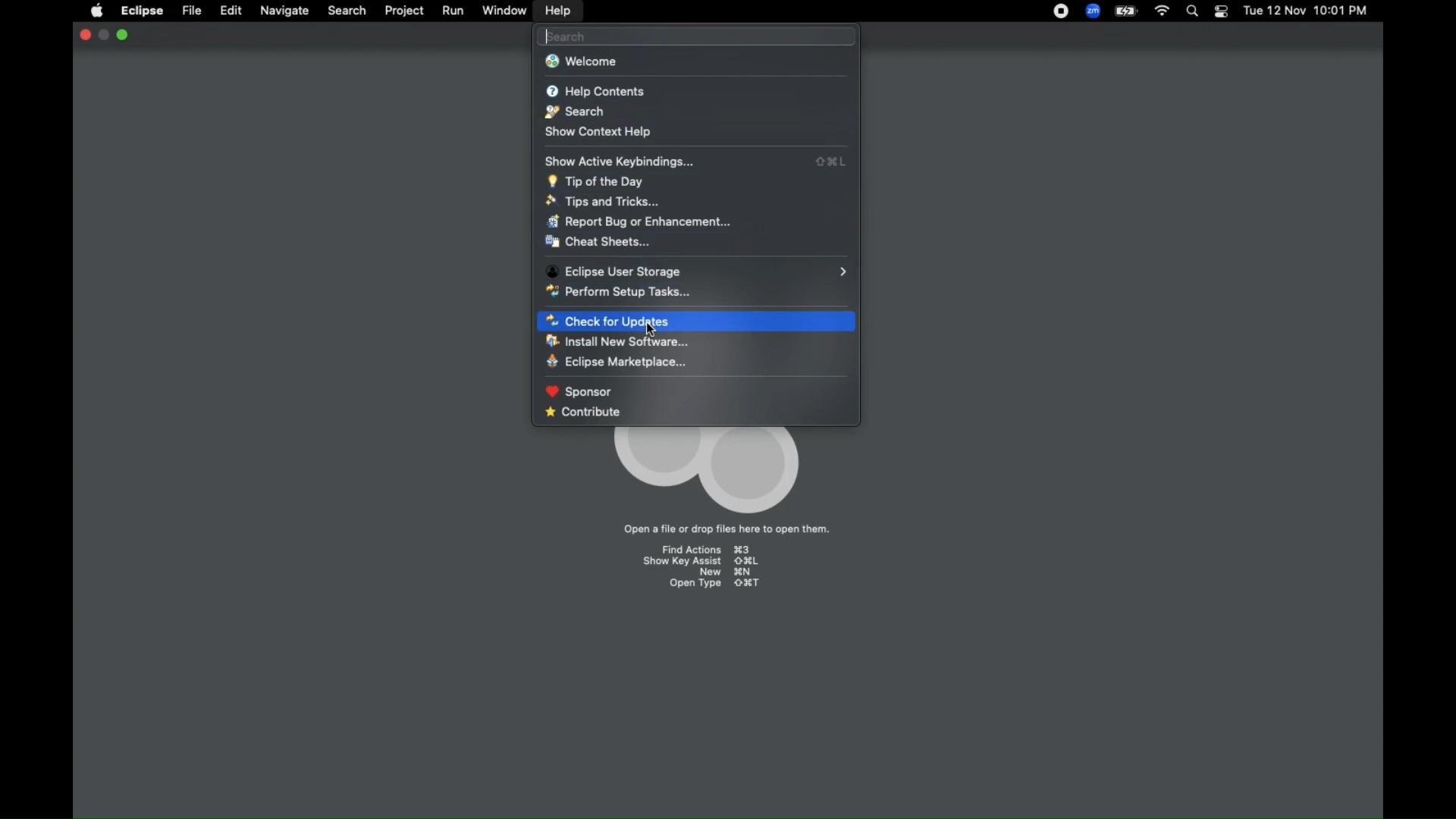  What do you see at coordinates (1191, 12) in the screenshot?
I see `Search` at bounding box center [1191, 12].